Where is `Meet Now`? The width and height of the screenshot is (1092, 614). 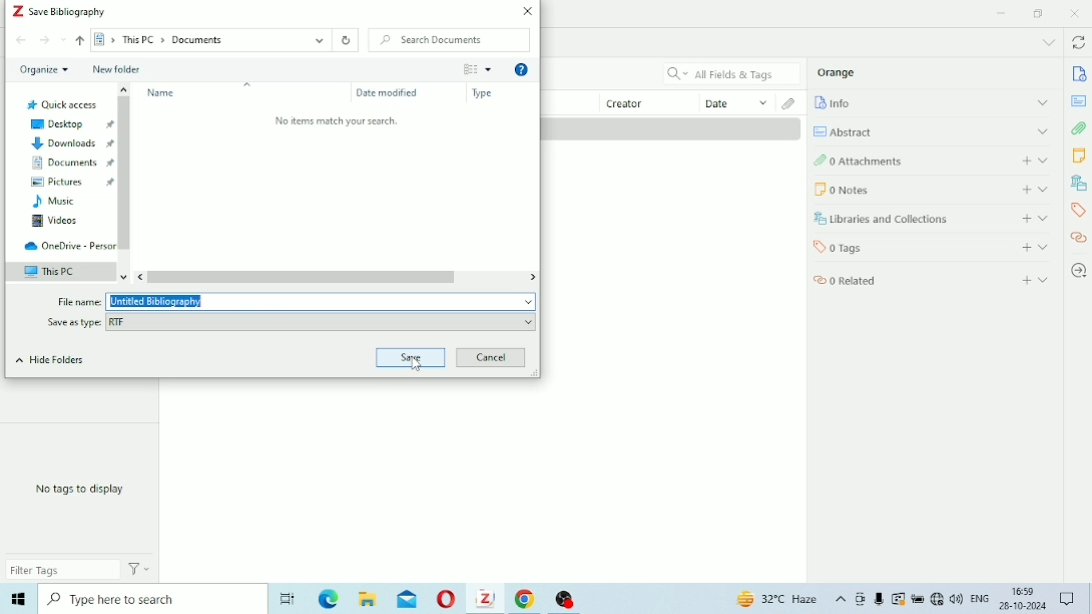 Meet Now is located at coordinates (861, 599).